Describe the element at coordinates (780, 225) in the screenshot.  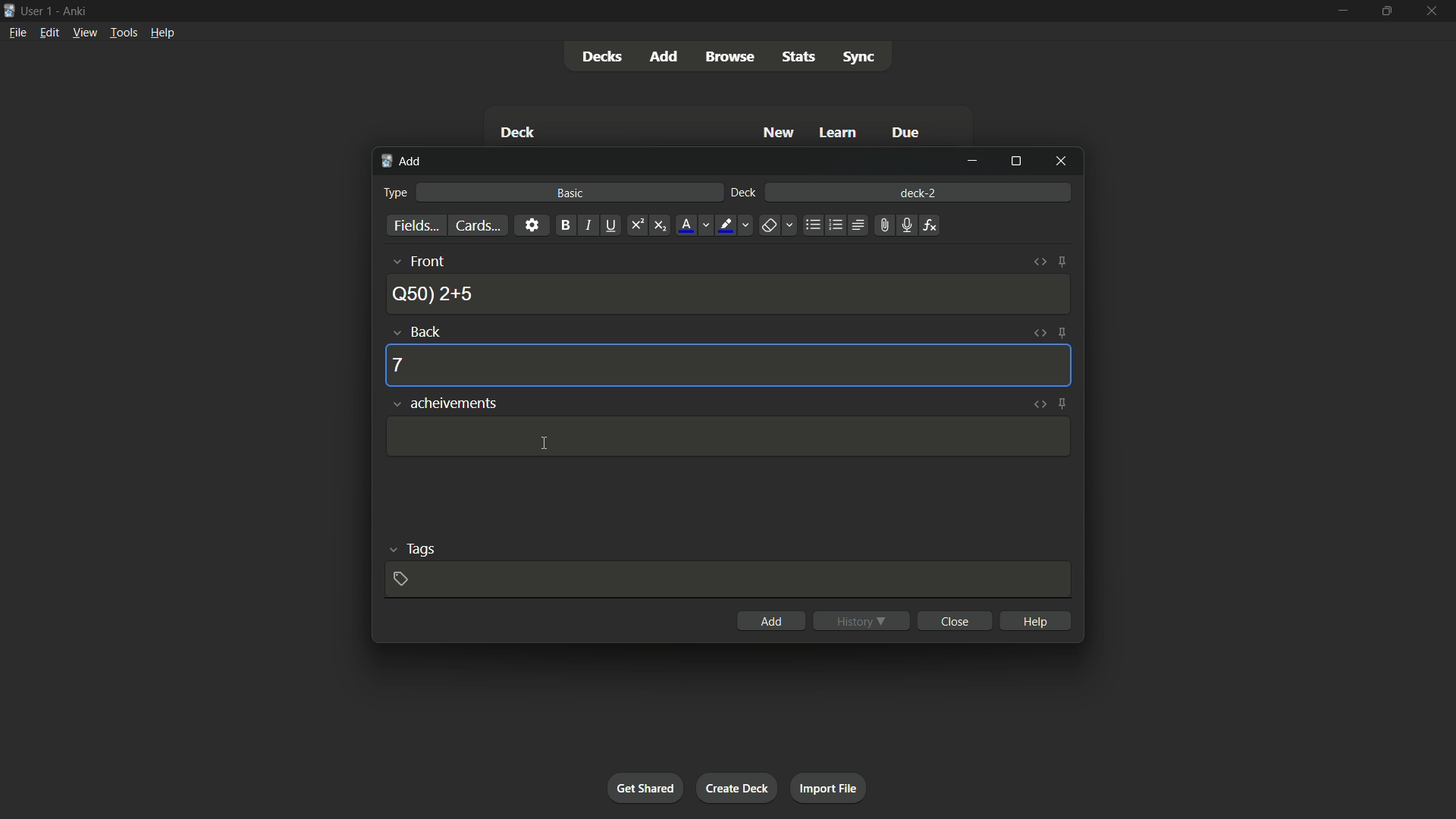
I see `remove formatting` at that location.